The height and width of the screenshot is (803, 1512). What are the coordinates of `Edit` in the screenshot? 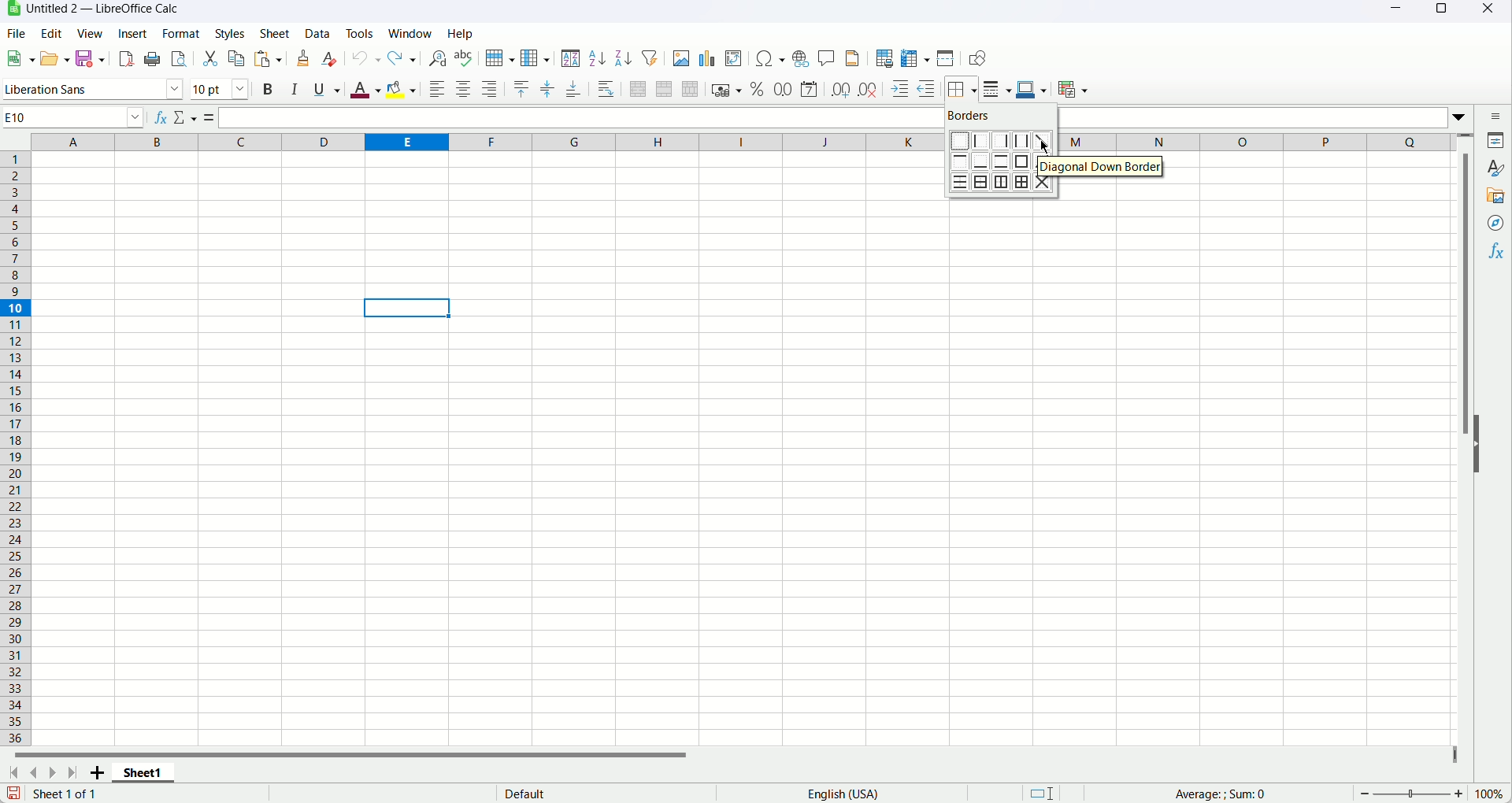 It's located at (52, 32).